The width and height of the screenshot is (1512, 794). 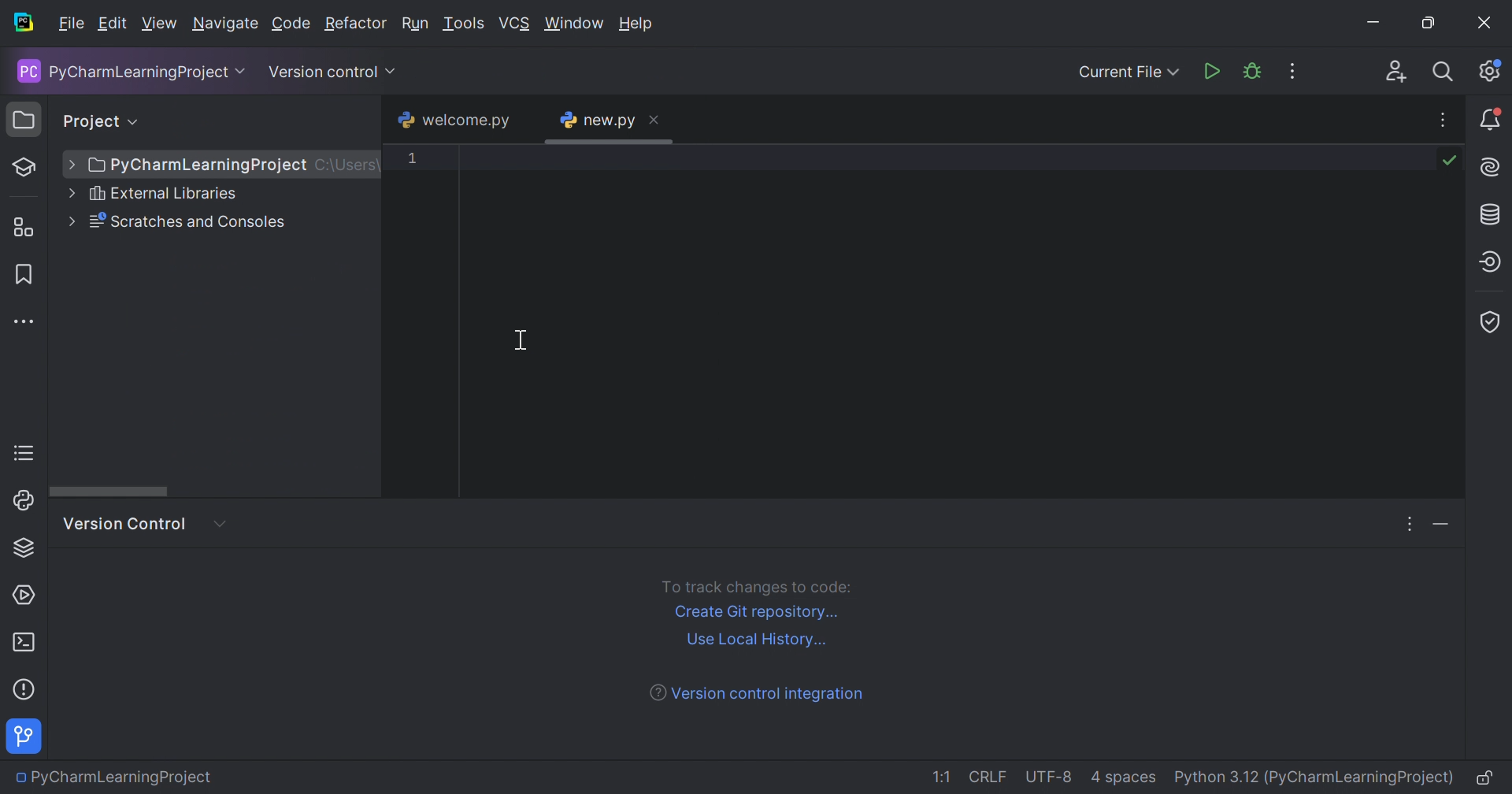 What do you see at coordinates (1443, 74) in the screenshot?
I see `Search everywhere` at bounding box center [1443, 74].